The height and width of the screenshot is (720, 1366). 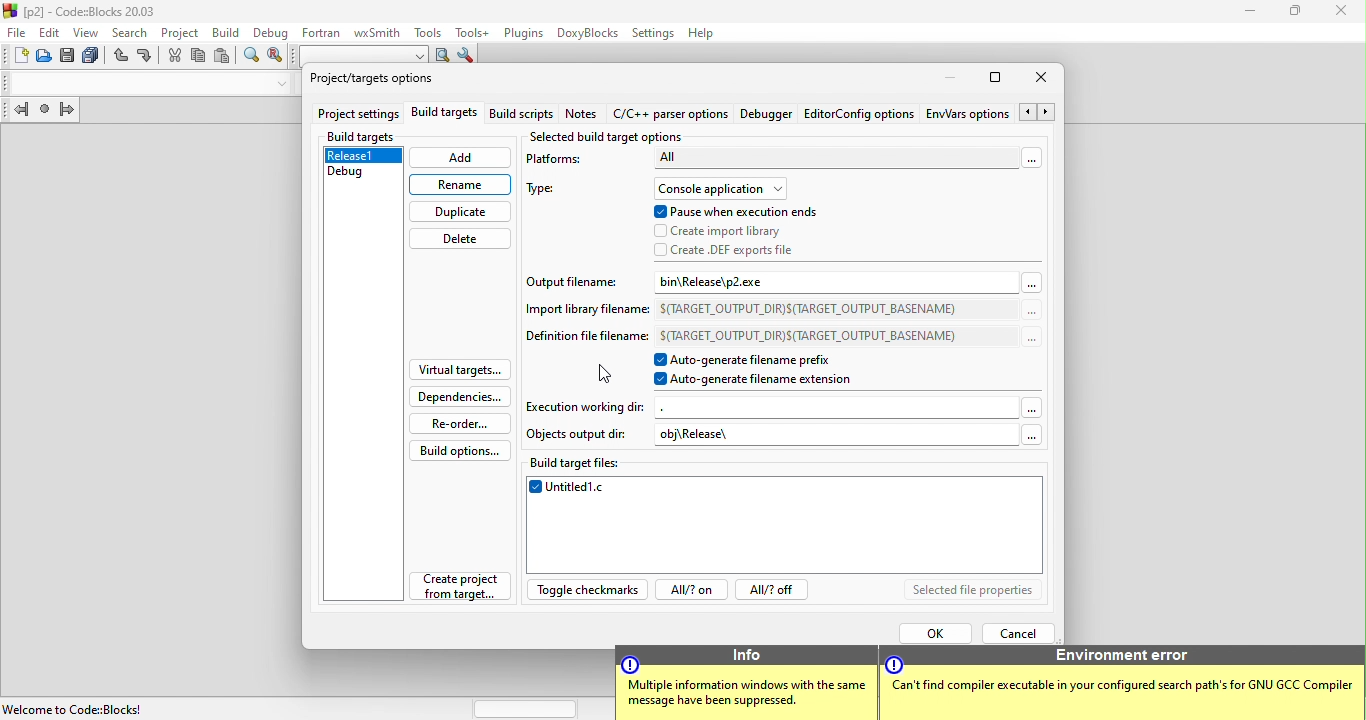 What do you see at coordinates (17, 112) in the screenshot?
I see `jump back` at bounding box center [17, 112].